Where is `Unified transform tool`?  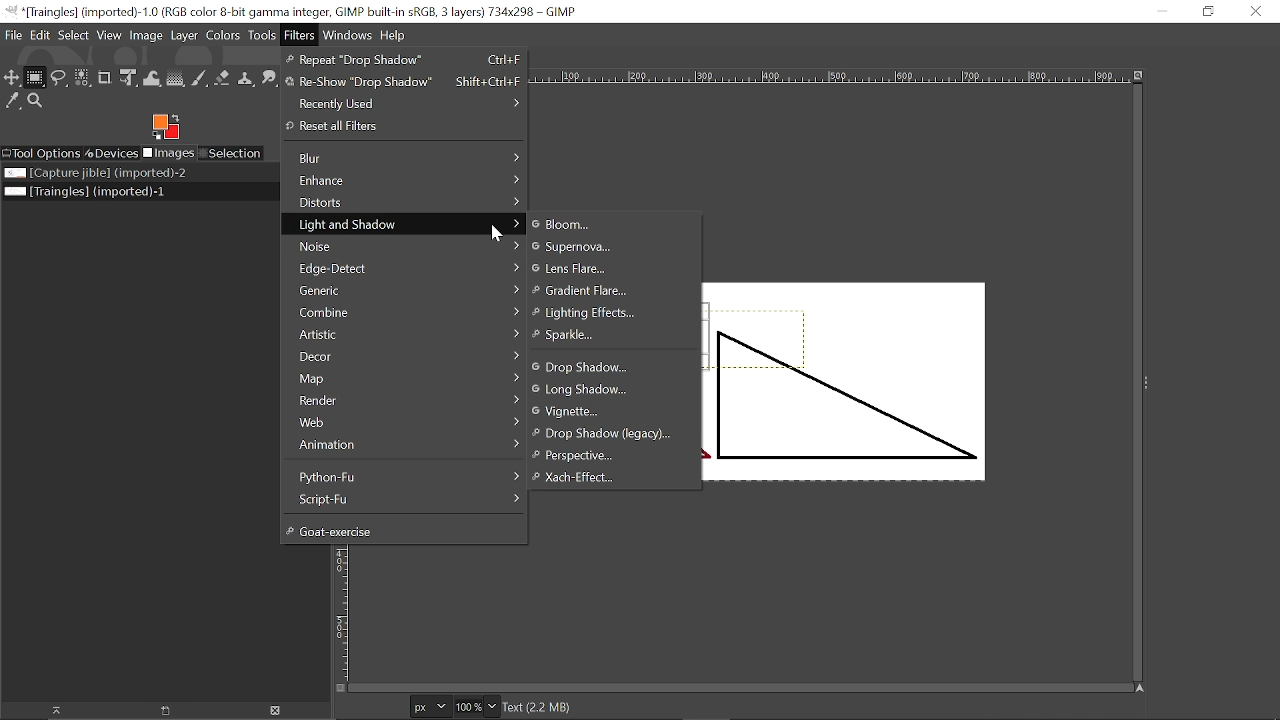 Unified transform tool is located at coordinates (128, 77).